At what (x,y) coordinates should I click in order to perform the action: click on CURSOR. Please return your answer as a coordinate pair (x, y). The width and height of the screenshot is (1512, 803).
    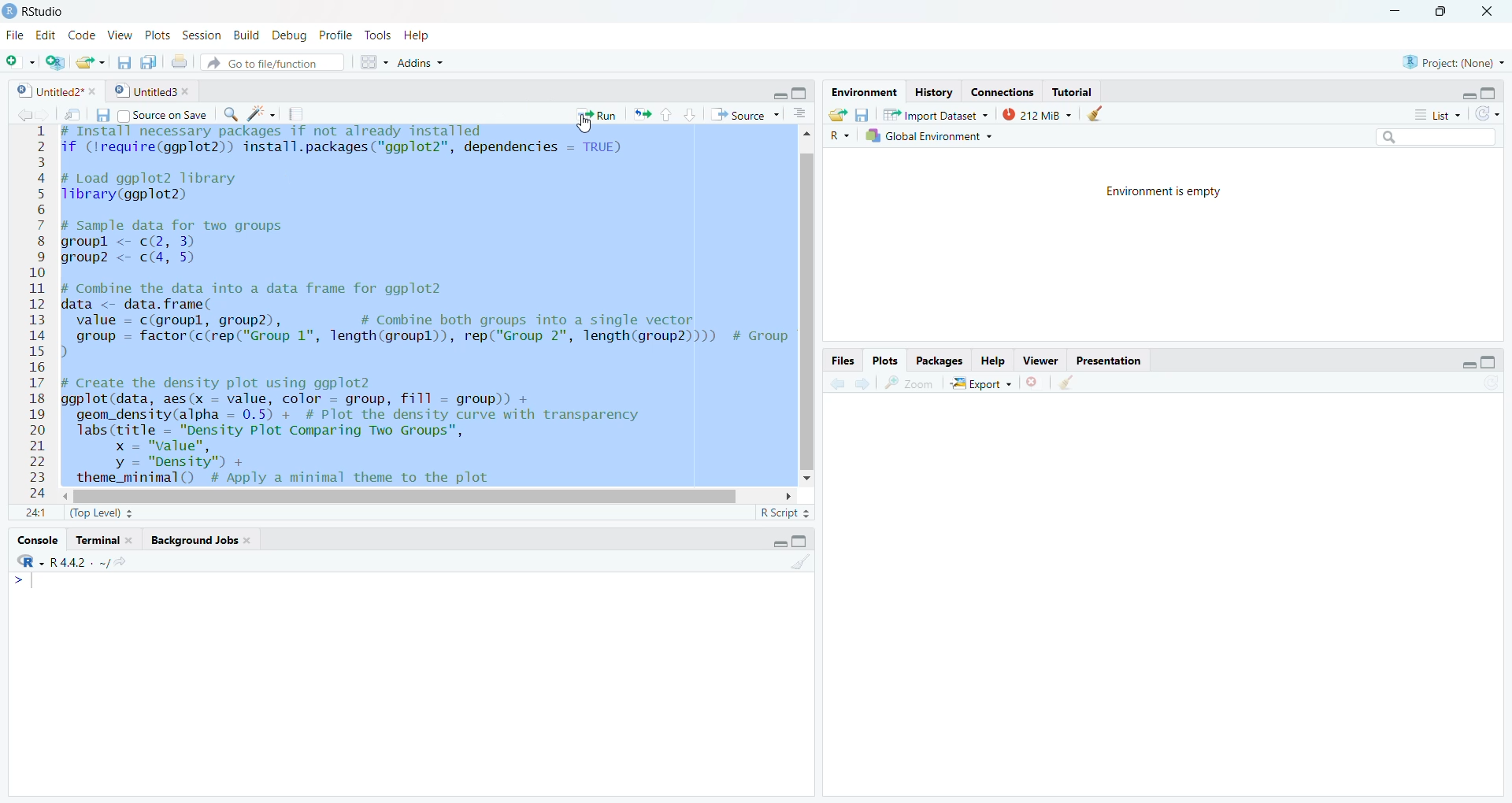
    Looking at the image, I should click on (586, 123).